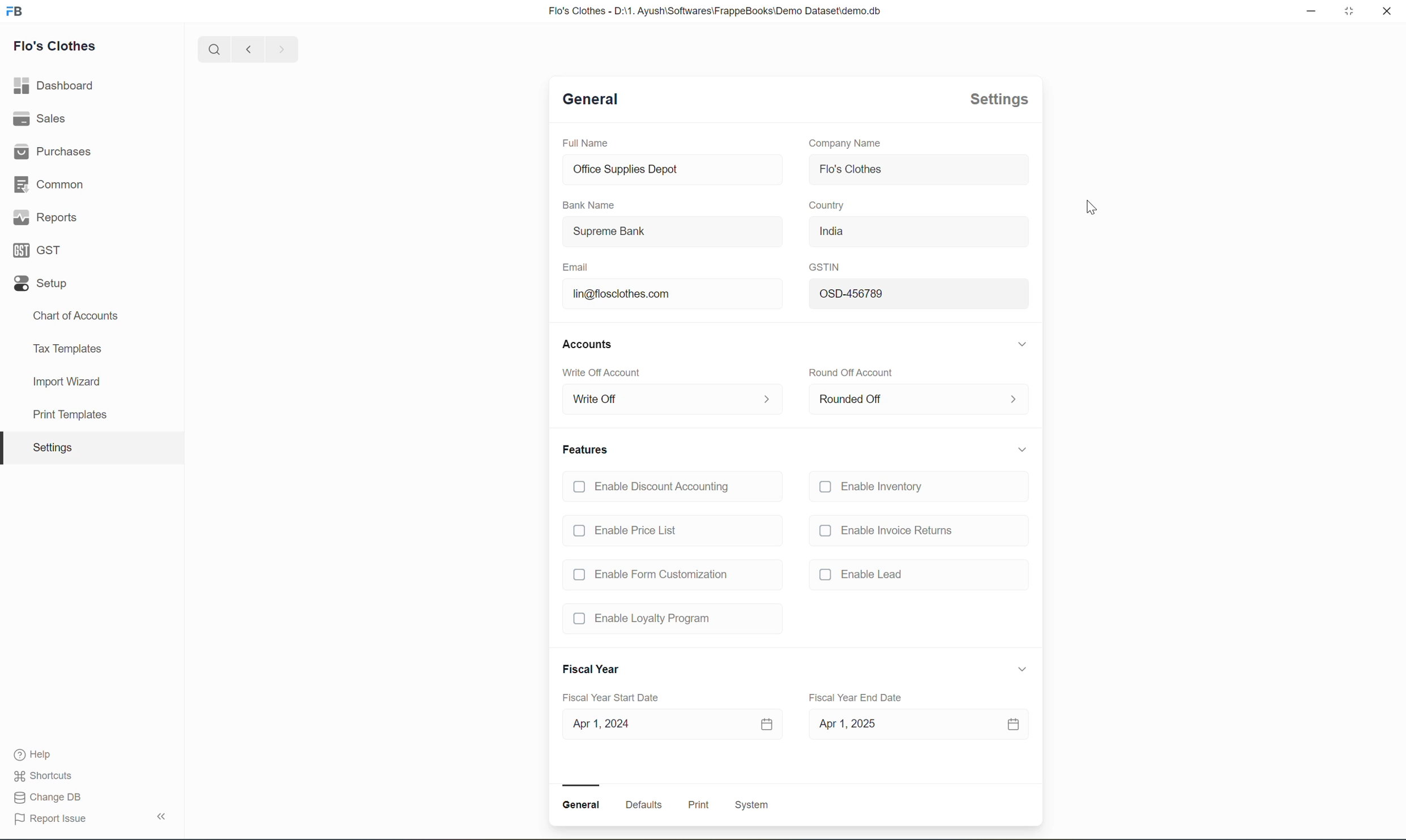  Describe the element at coordinates (610, 697) in the screenshot. I see `Fiscal Year Start Date` at that location.